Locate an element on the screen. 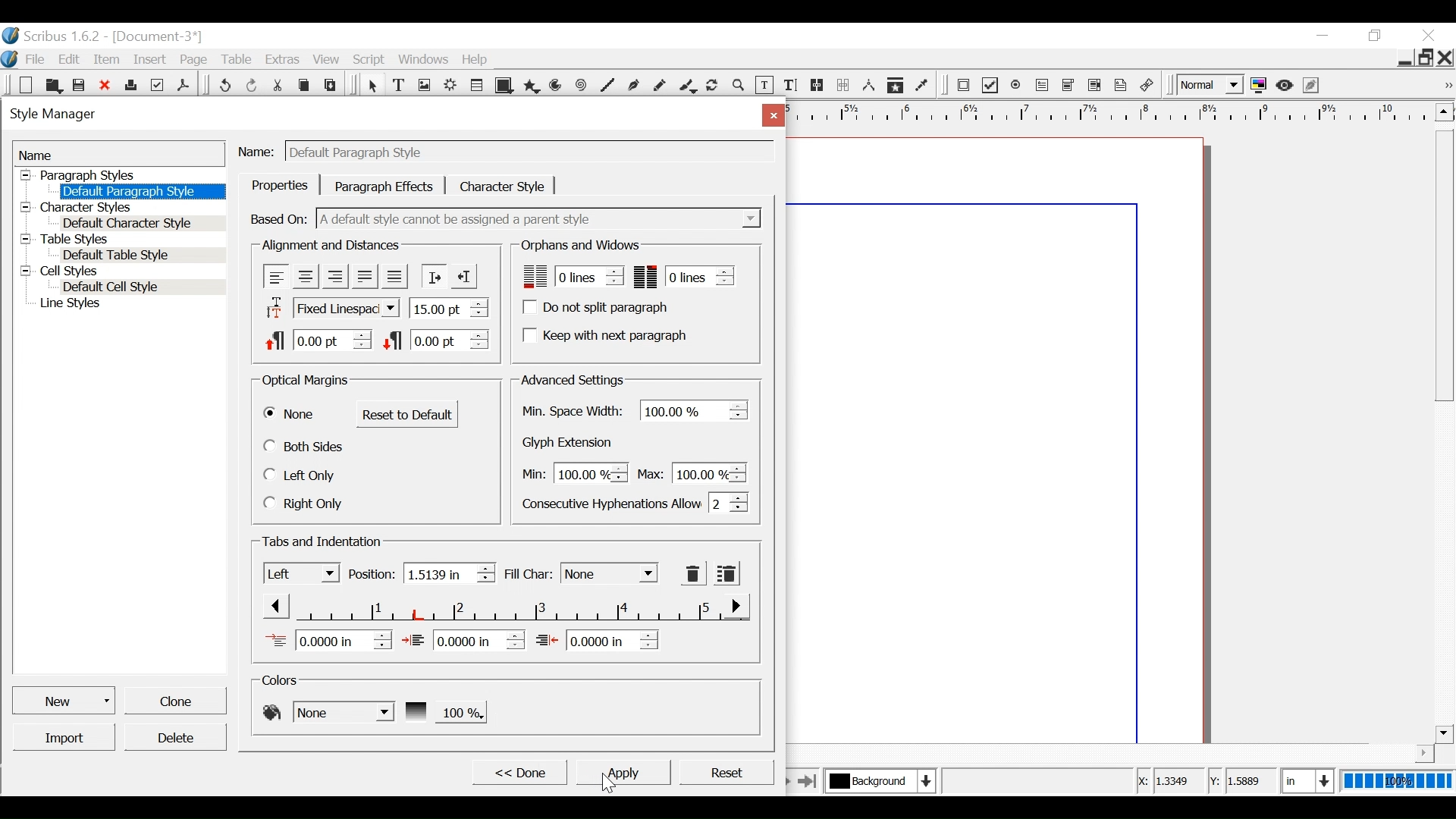 Image resolution: width=1456 pixels, height=819 pixels. Restore is located at coordinates (1376, 36).